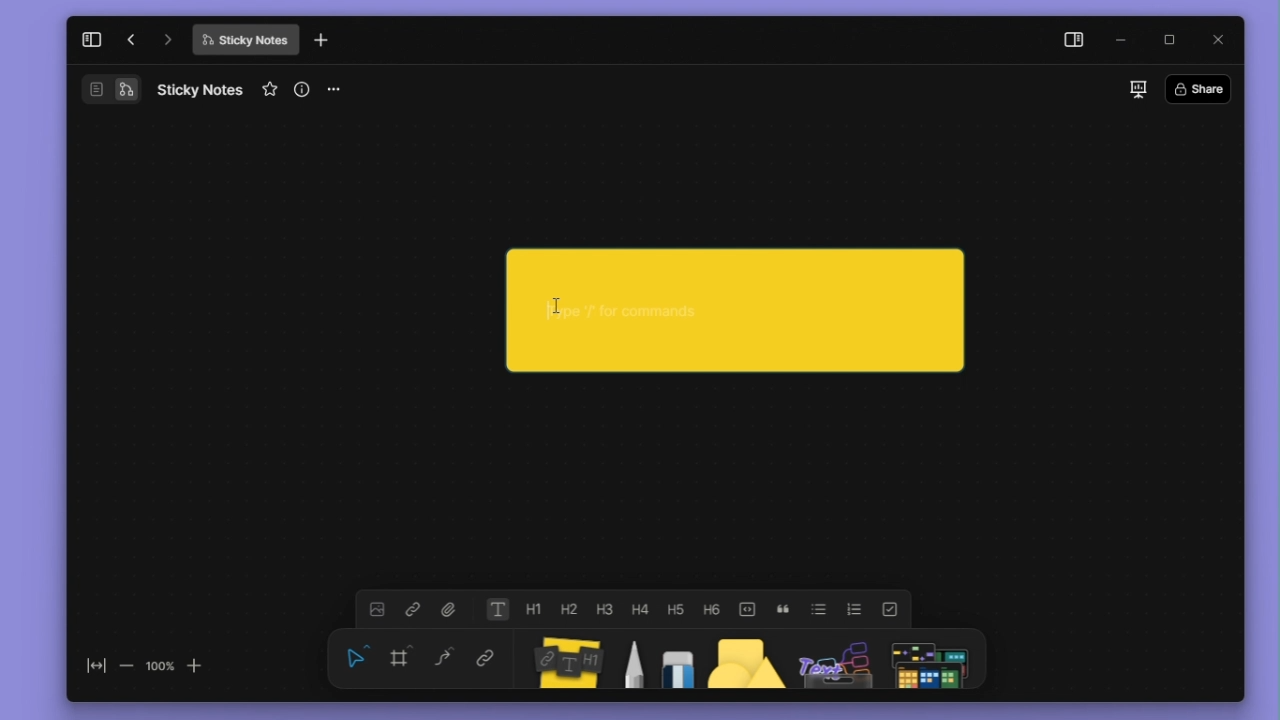  Describe the element at coordinates (1070, 40) in the screenshot. I see `side  panel` at that location.